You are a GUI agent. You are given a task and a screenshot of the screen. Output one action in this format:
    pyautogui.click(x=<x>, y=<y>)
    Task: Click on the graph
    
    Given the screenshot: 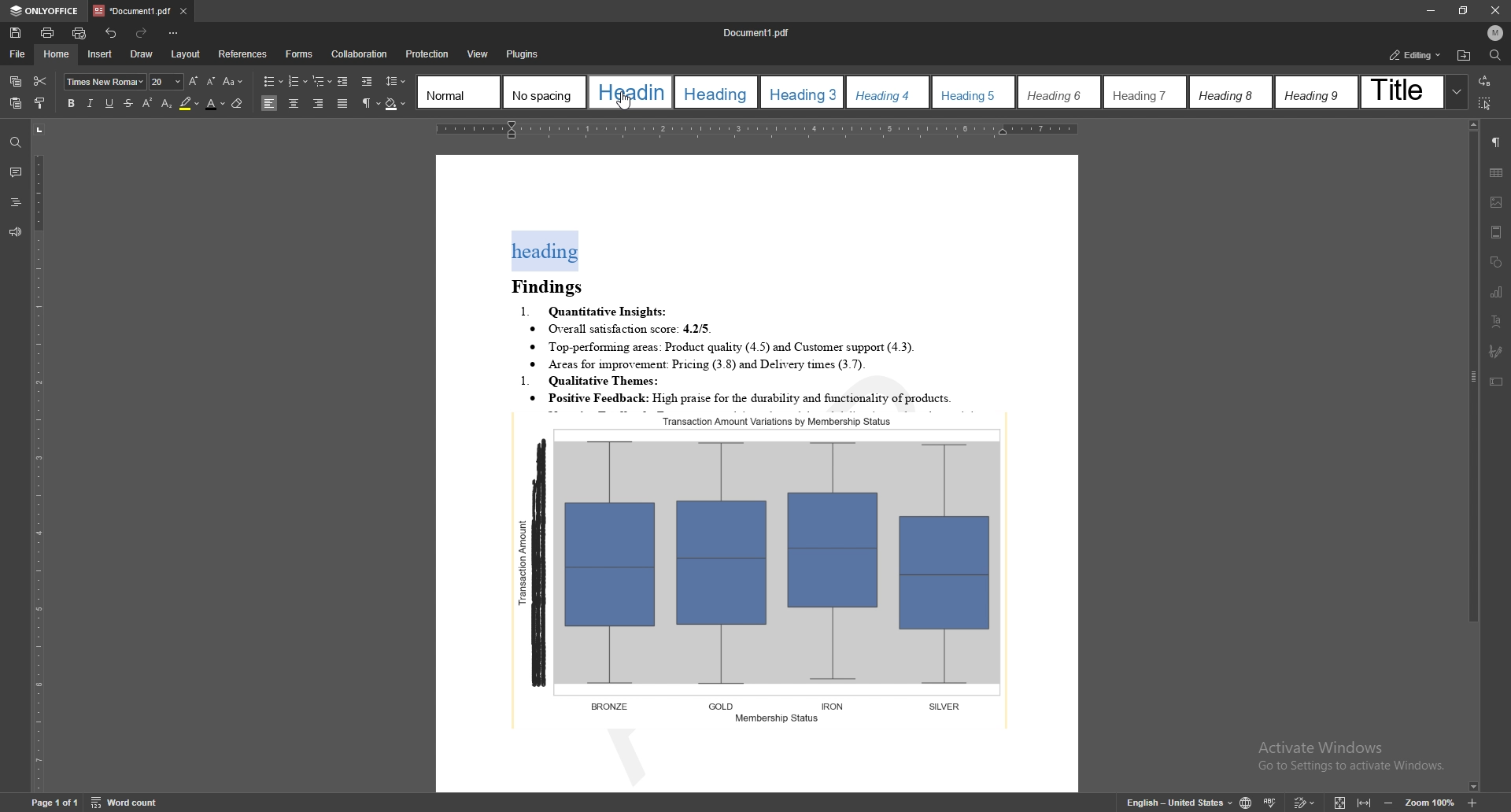 What is the action you would take?
    pyautogui.click(x=763, y=569)
    